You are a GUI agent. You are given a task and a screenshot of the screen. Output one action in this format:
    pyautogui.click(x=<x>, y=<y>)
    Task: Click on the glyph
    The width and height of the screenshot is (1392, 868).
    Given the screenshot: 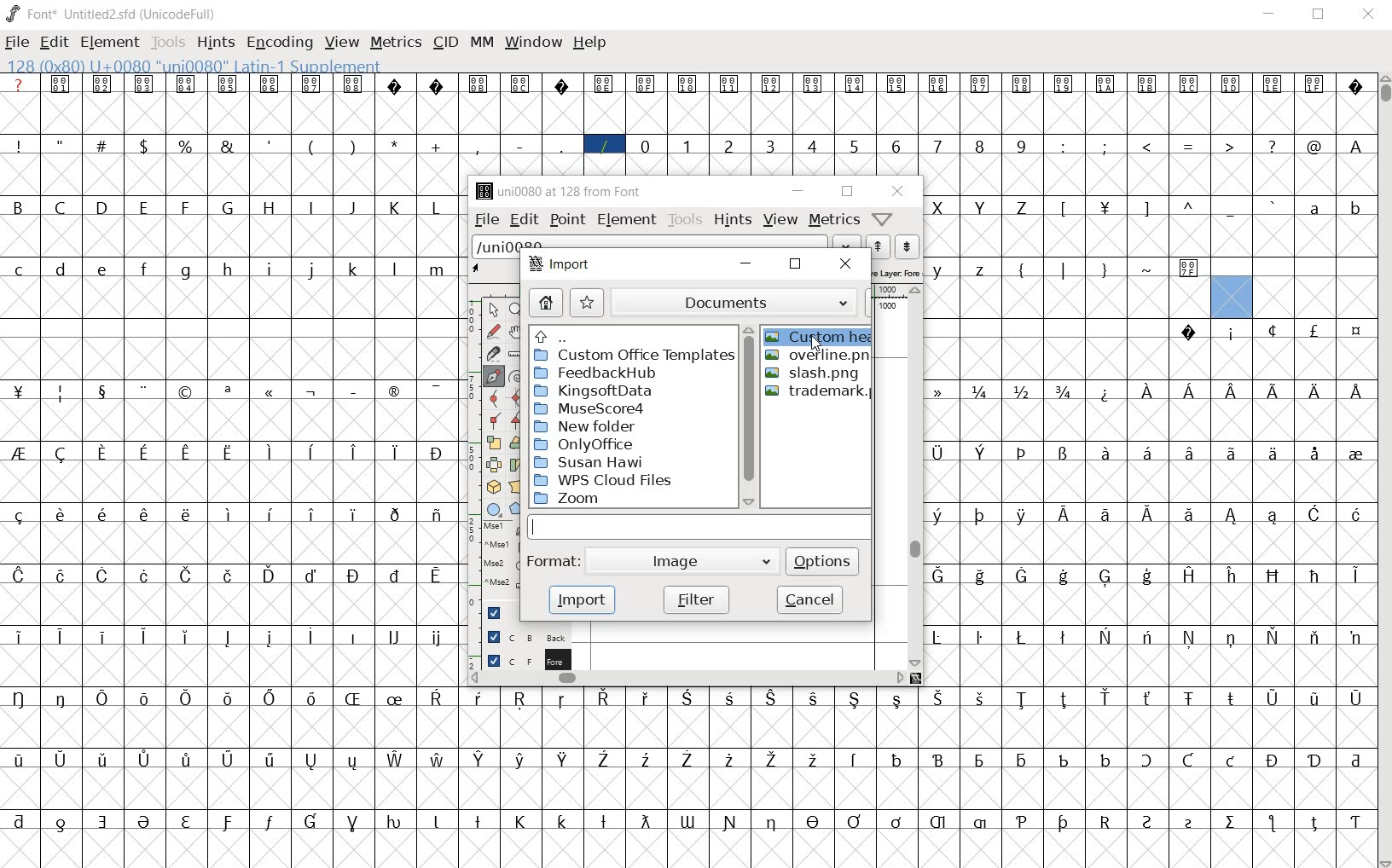 What is the action you would take?
    pyautogui.click(x=393, y=822)
    